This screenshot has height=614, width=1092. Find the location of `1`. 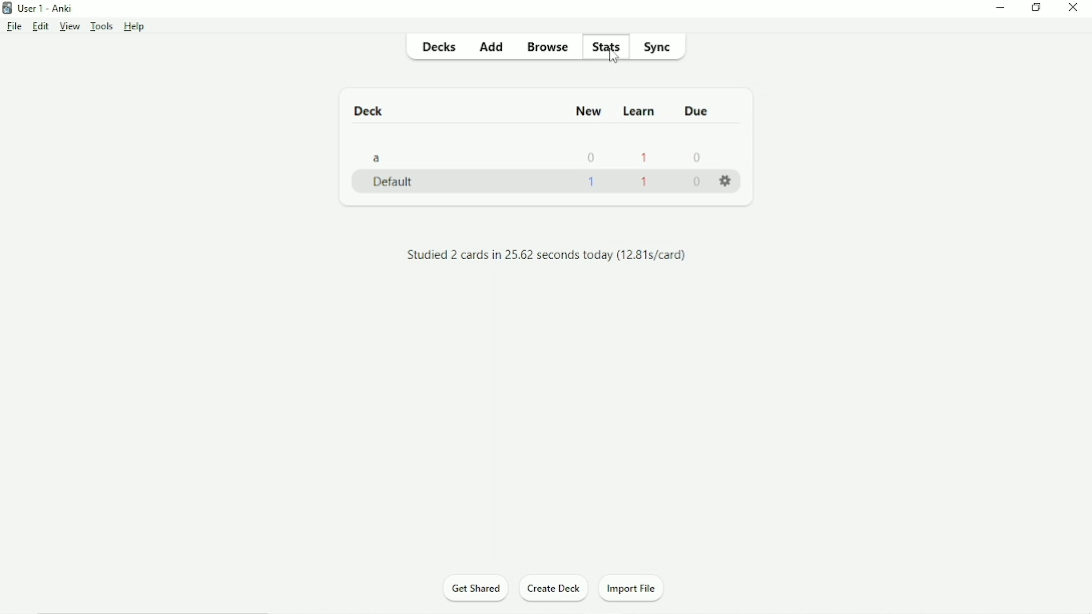

1 is located at coordinates (644, 182).